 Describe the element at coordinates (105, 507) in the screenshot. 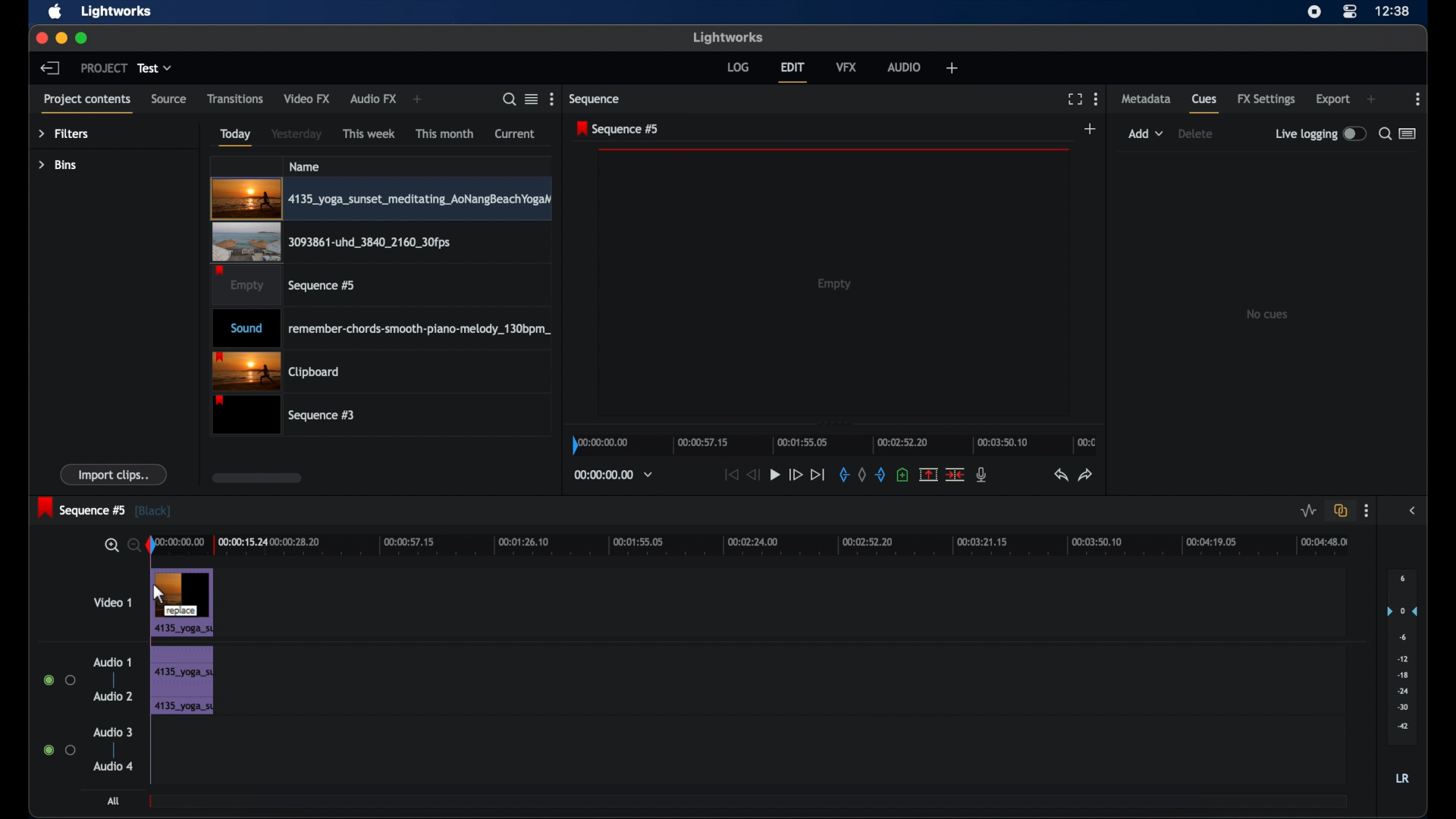

I see `sequence` at that location.